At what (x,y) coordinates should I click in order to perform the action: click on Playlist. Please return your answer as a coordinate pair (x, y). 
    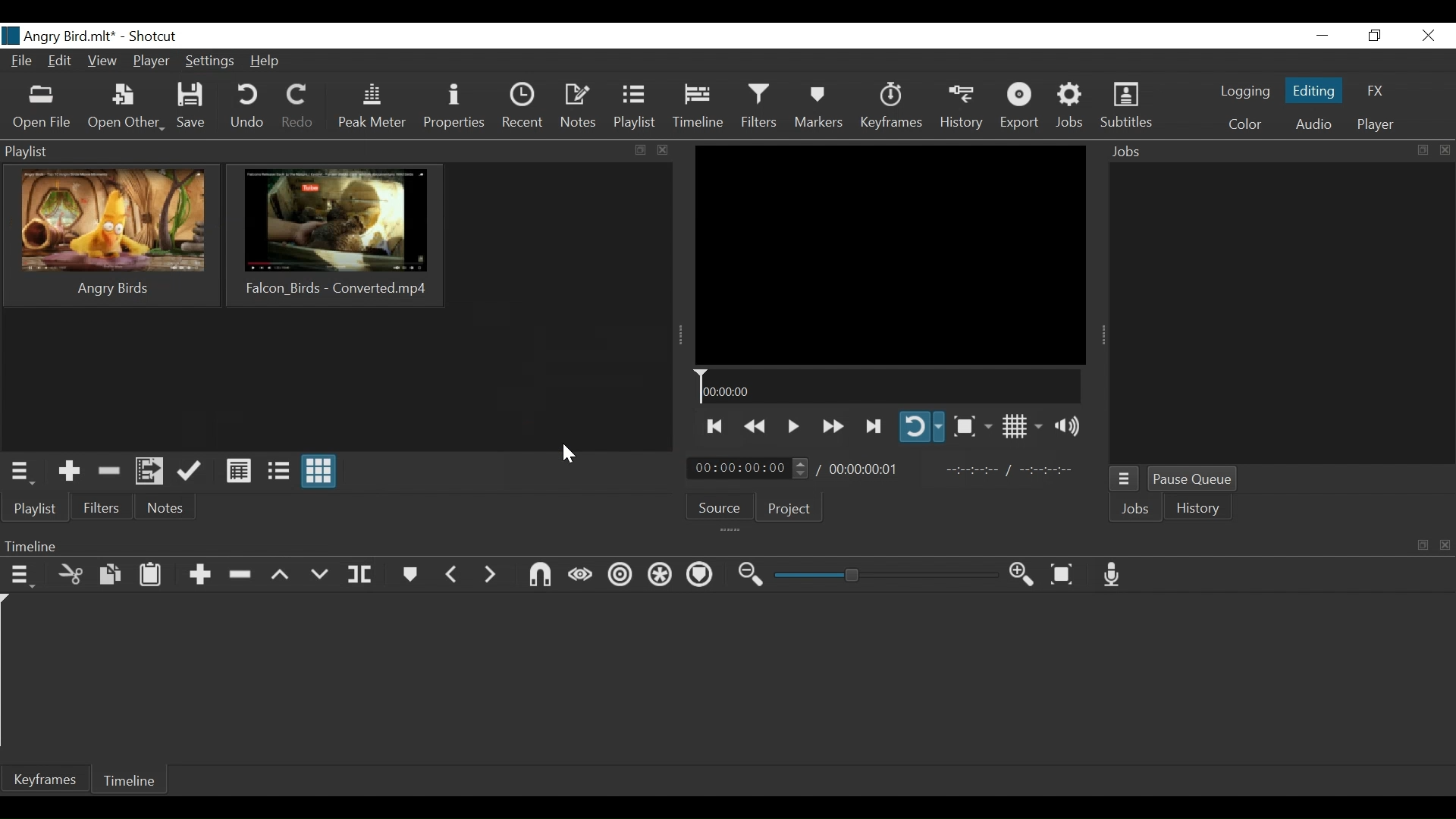
    Looking at the image, I should click on (634, 108).